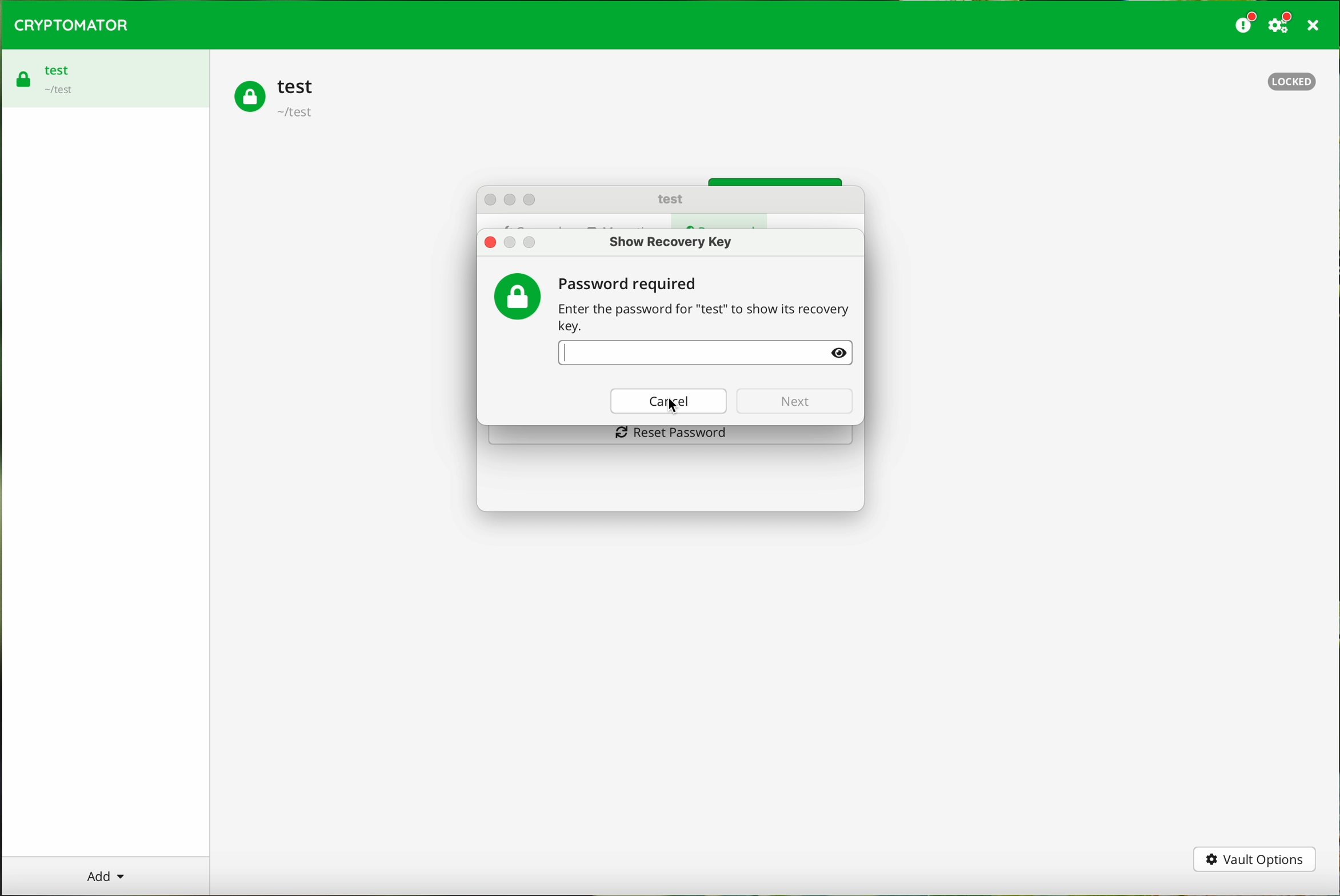  Describe the element at coordinates (1246, 23) in the screenshot. I see `donate` at that location.